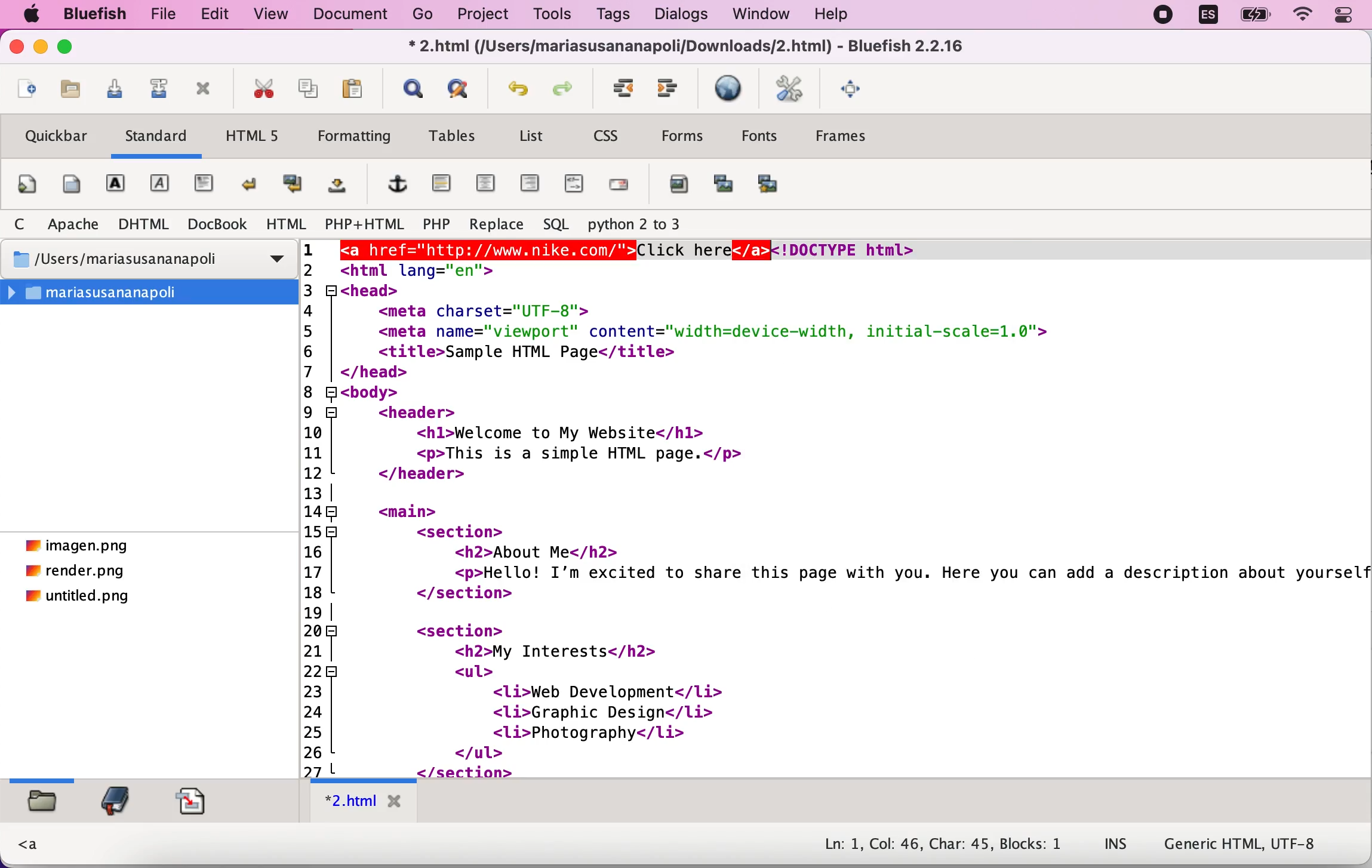  I want to click on python 2 to 3, so click(647, 226).